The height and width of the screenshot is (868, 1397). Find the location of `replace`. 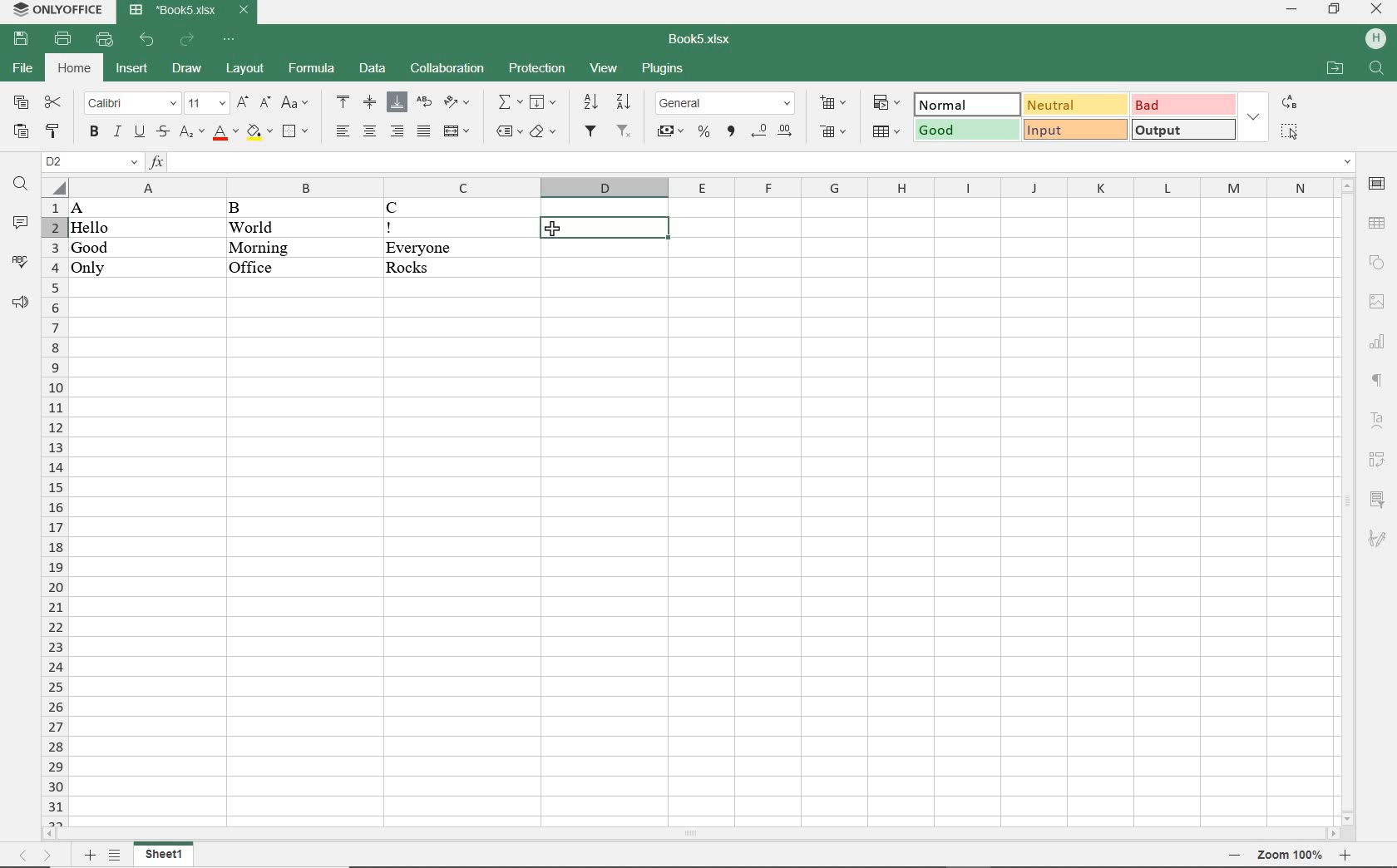

replace is located at coordinates (1291, 103).